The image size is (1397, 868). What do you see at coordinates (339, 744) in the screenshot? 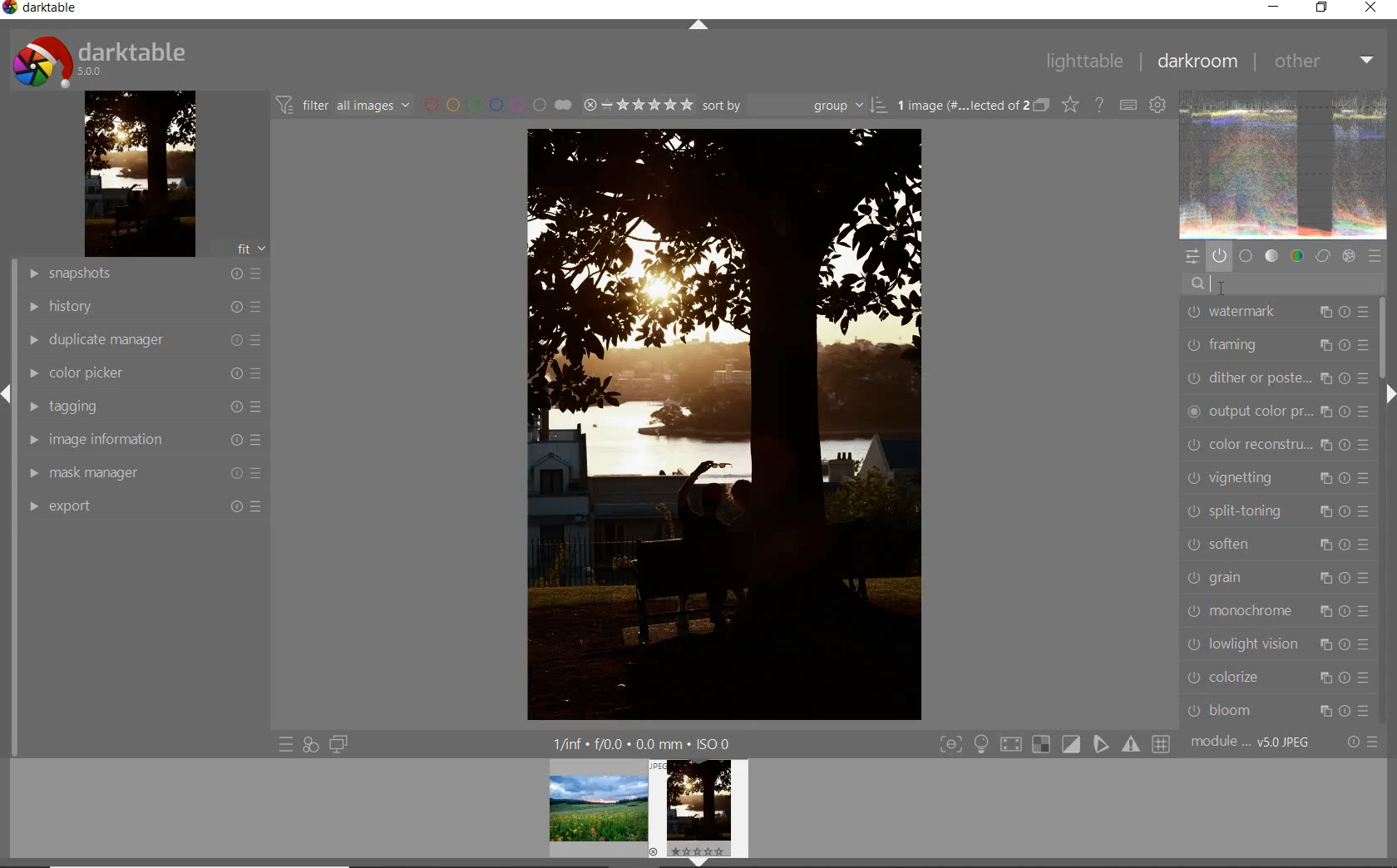
I see `display a second darkroom image widow` at bounding box center [339, 744].